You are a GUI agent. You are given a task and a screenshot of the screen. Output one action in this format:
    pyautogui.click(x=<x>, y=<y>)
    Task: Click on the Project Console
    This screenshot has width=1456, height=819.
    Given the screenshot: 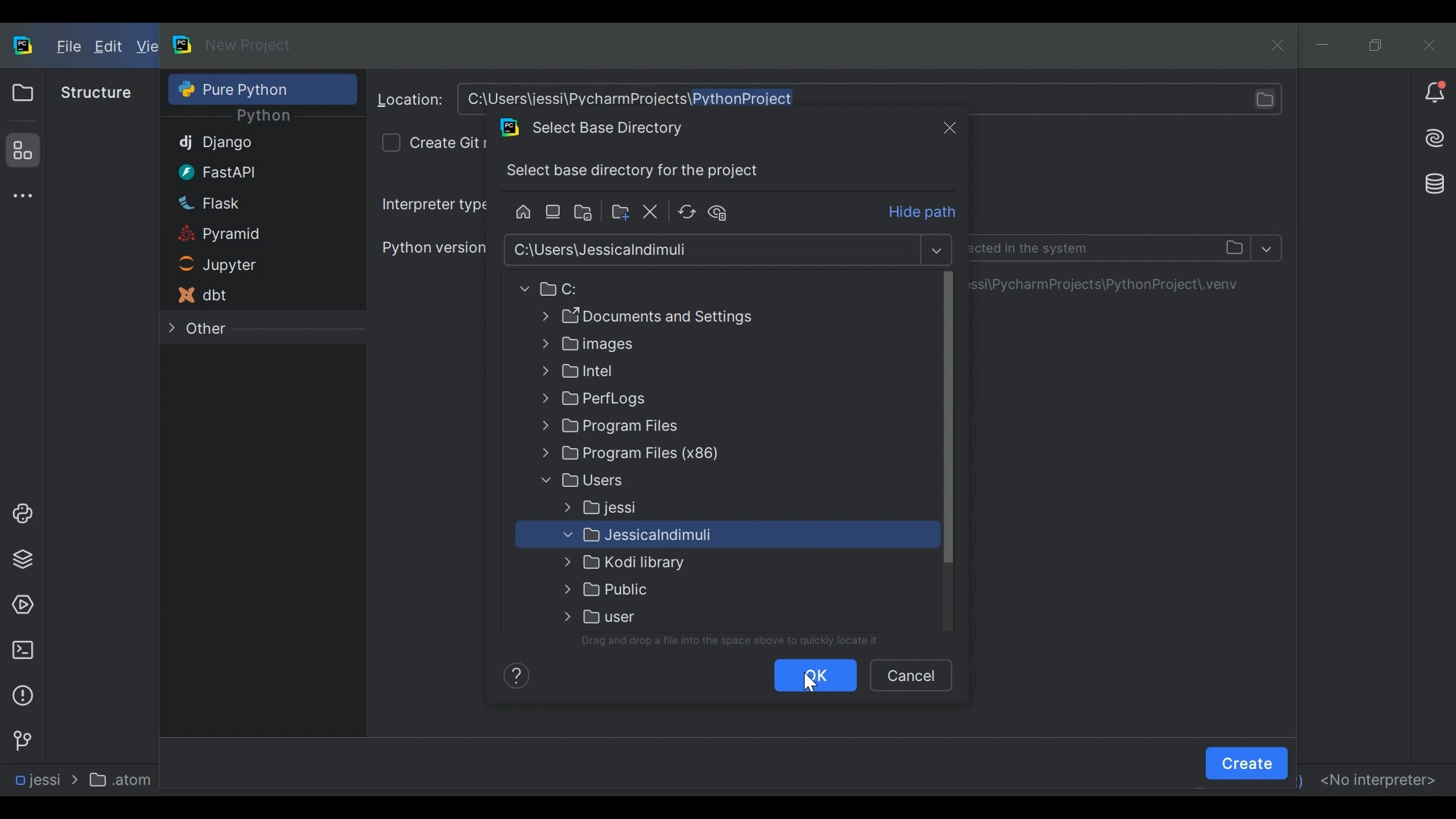 What is the action you would take?
    pyautogui.click(x=20, y=514)
    